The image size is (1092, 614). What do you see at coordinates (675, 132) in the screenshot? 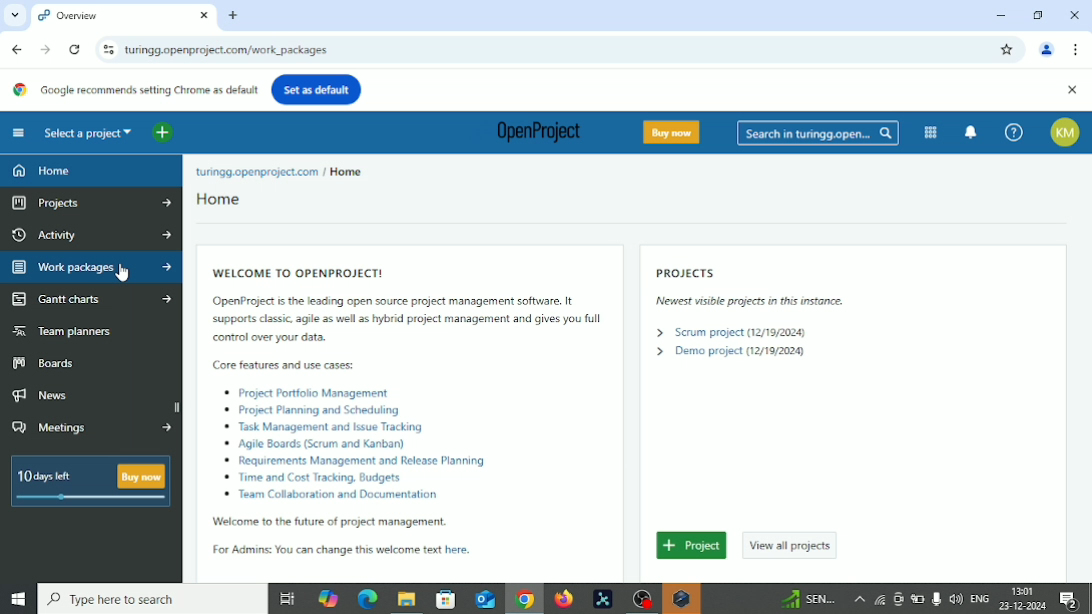
I see `Buy now` at bounding box center [675, 132].